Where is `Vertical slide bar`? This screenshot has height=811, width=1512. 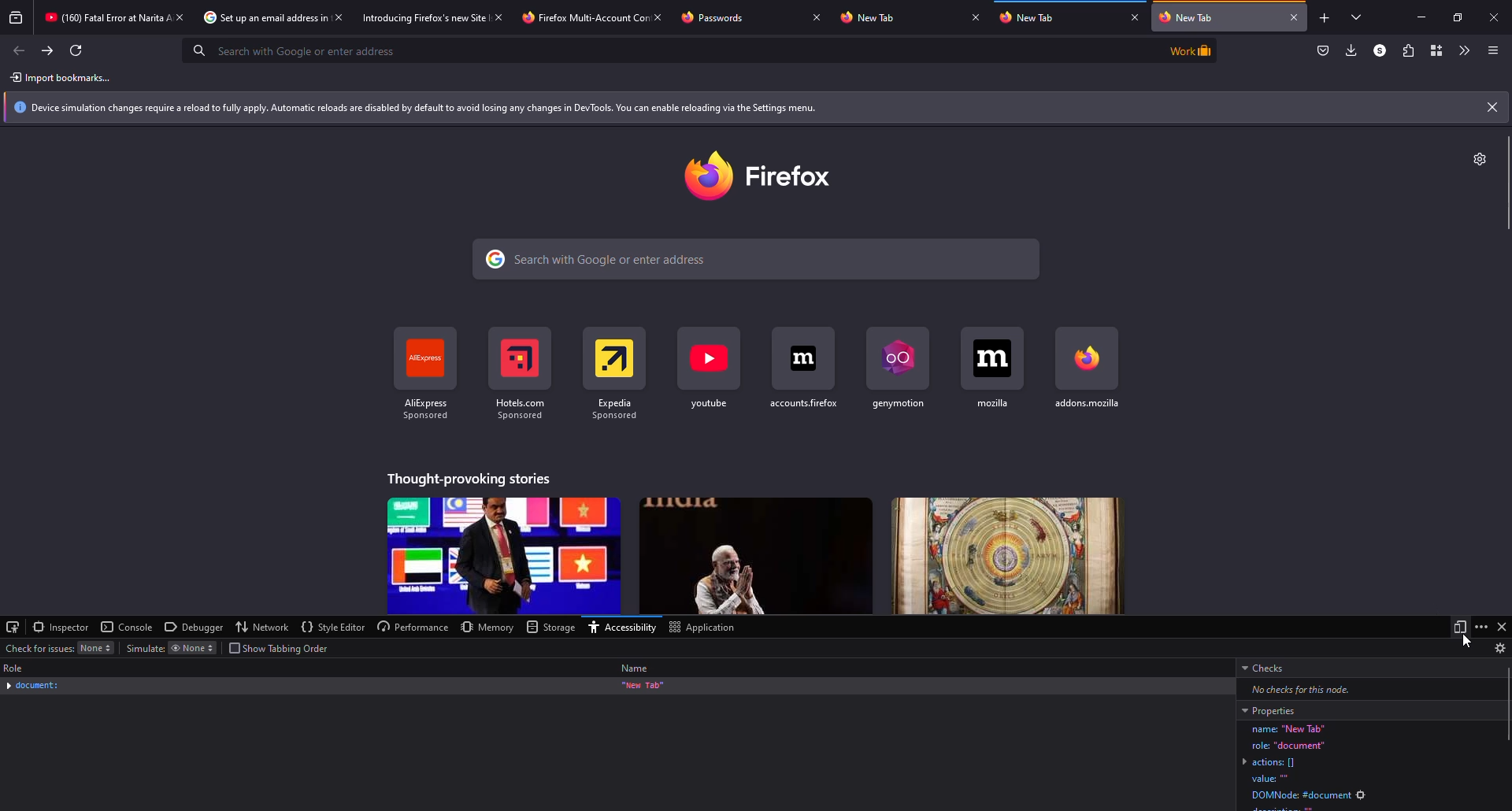 Vertical slide bar is located at coordinates (1508, 183).